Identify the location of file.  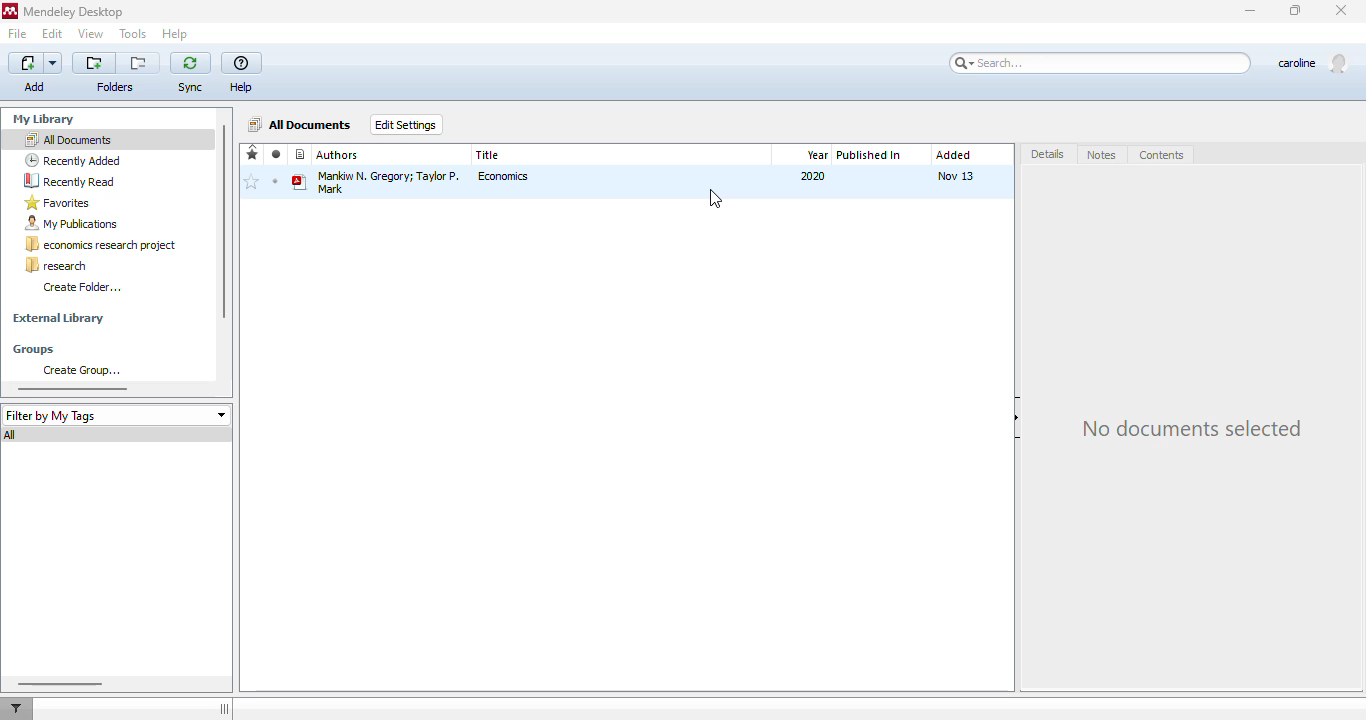
(18, 33).